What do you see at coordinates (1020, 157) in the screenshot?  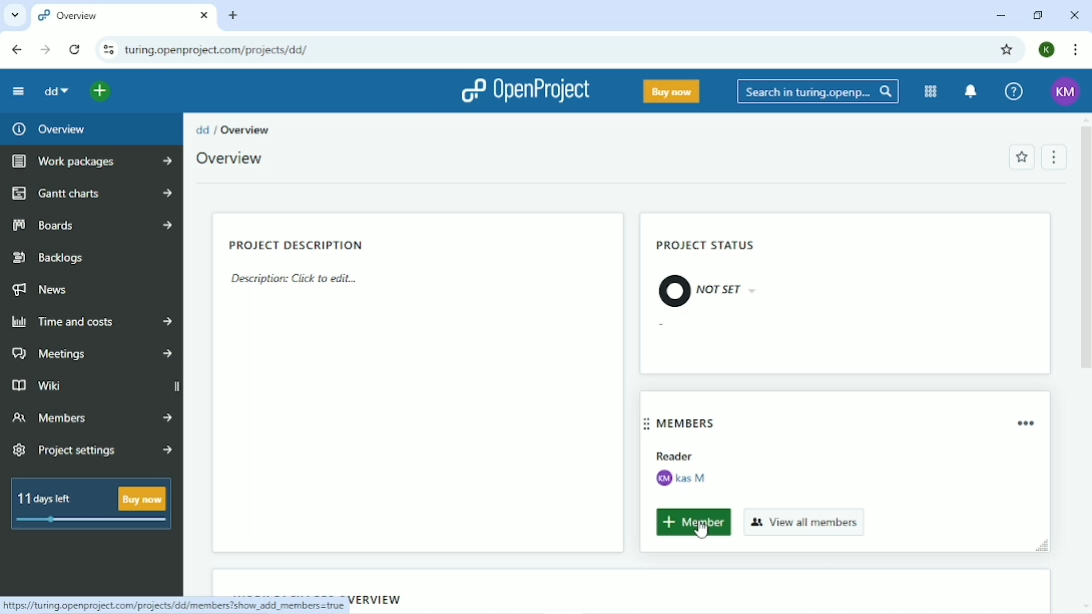 I see `Add to favorites` at bounding box center [1020, 157].